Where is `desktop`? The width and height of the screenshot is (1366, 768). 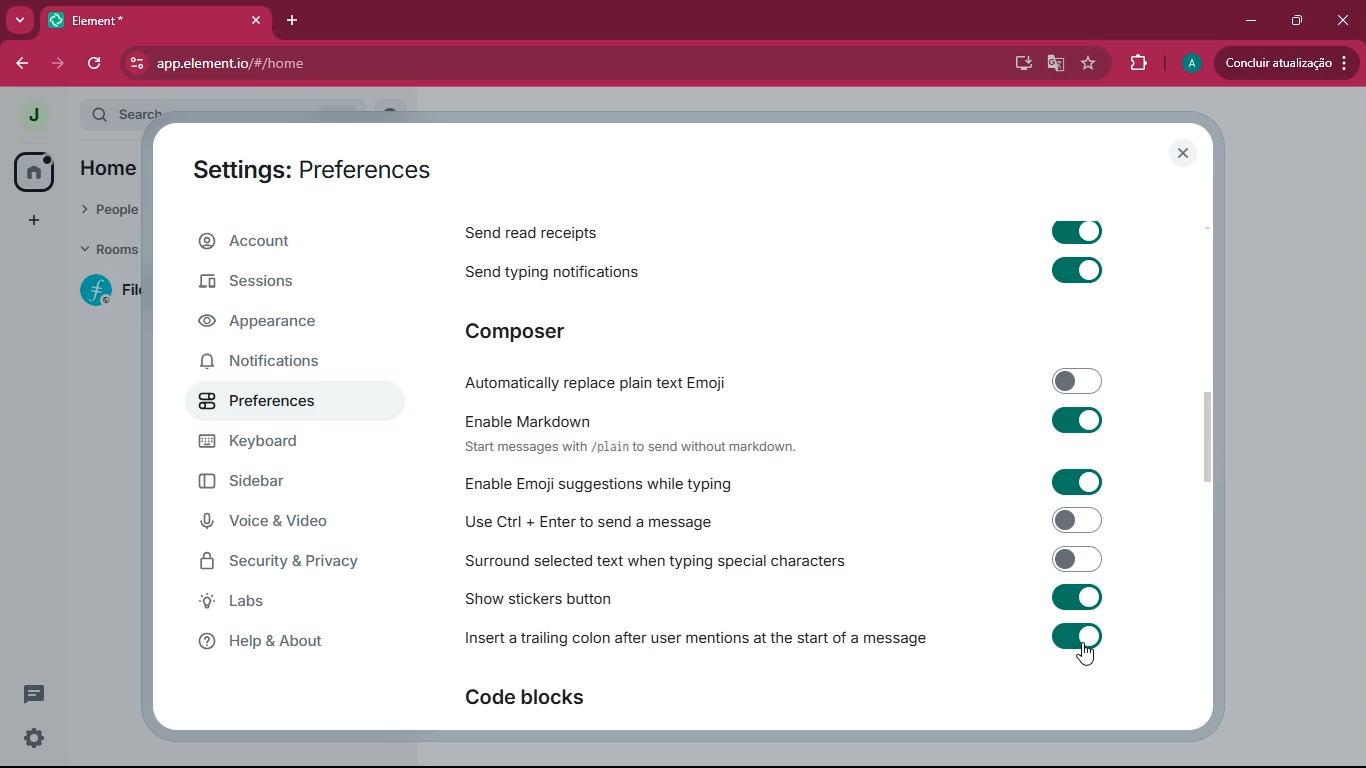
desktop is located at coordinates (1022, 65).